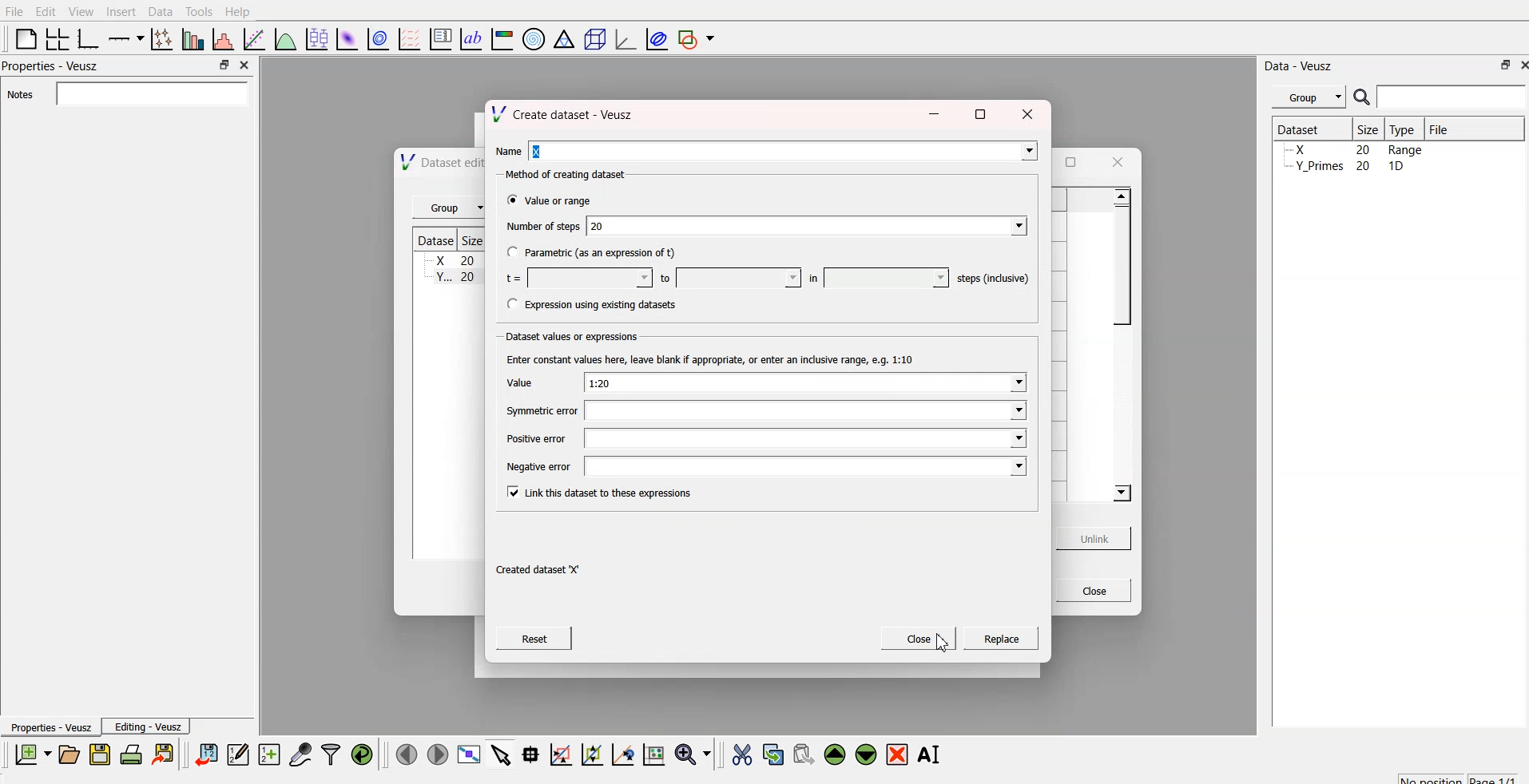 This screenshot has height=784, width=1529. I want to click on create a new dataset, so click(269, 756).